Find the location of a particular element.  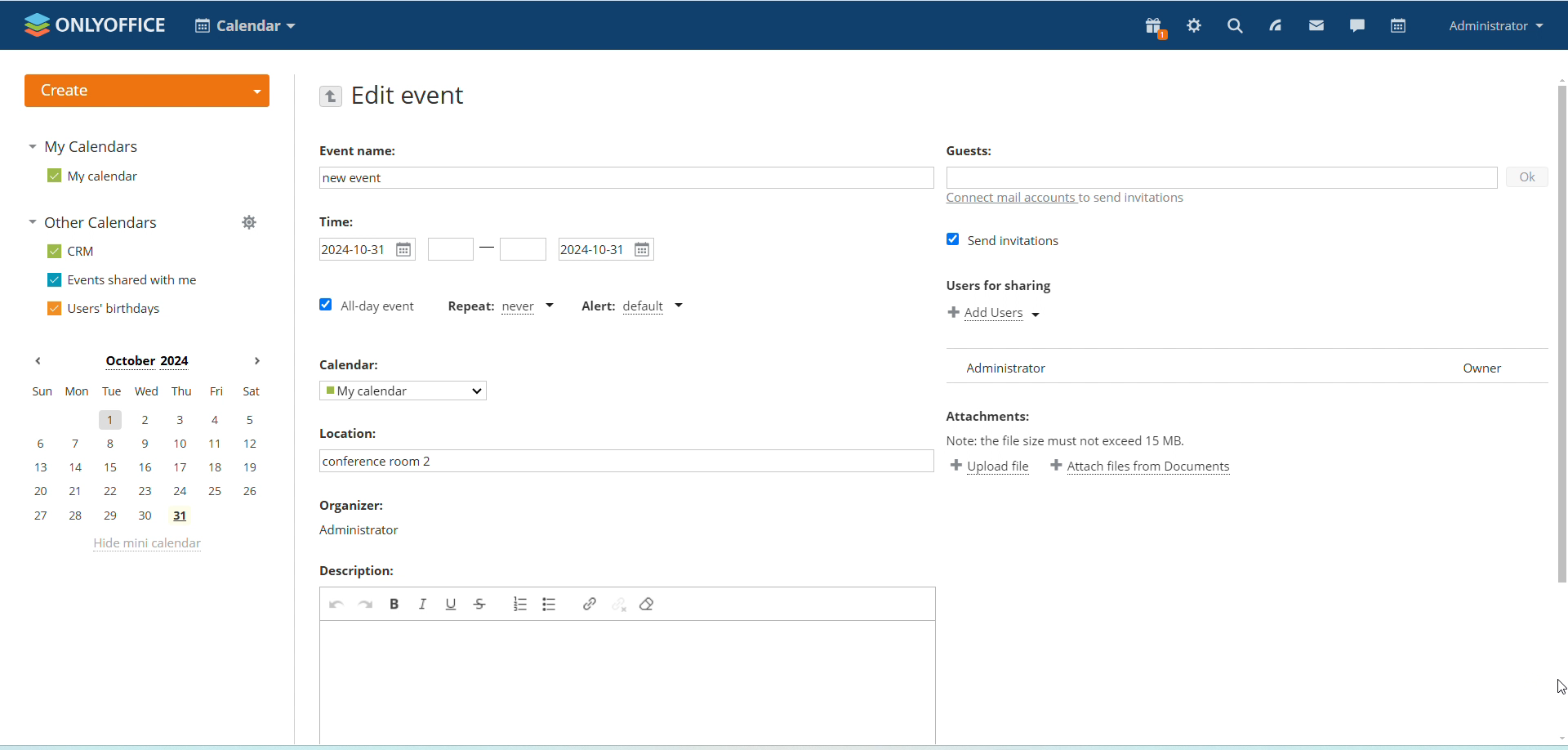

ok is located at coordinates (1526, 178).